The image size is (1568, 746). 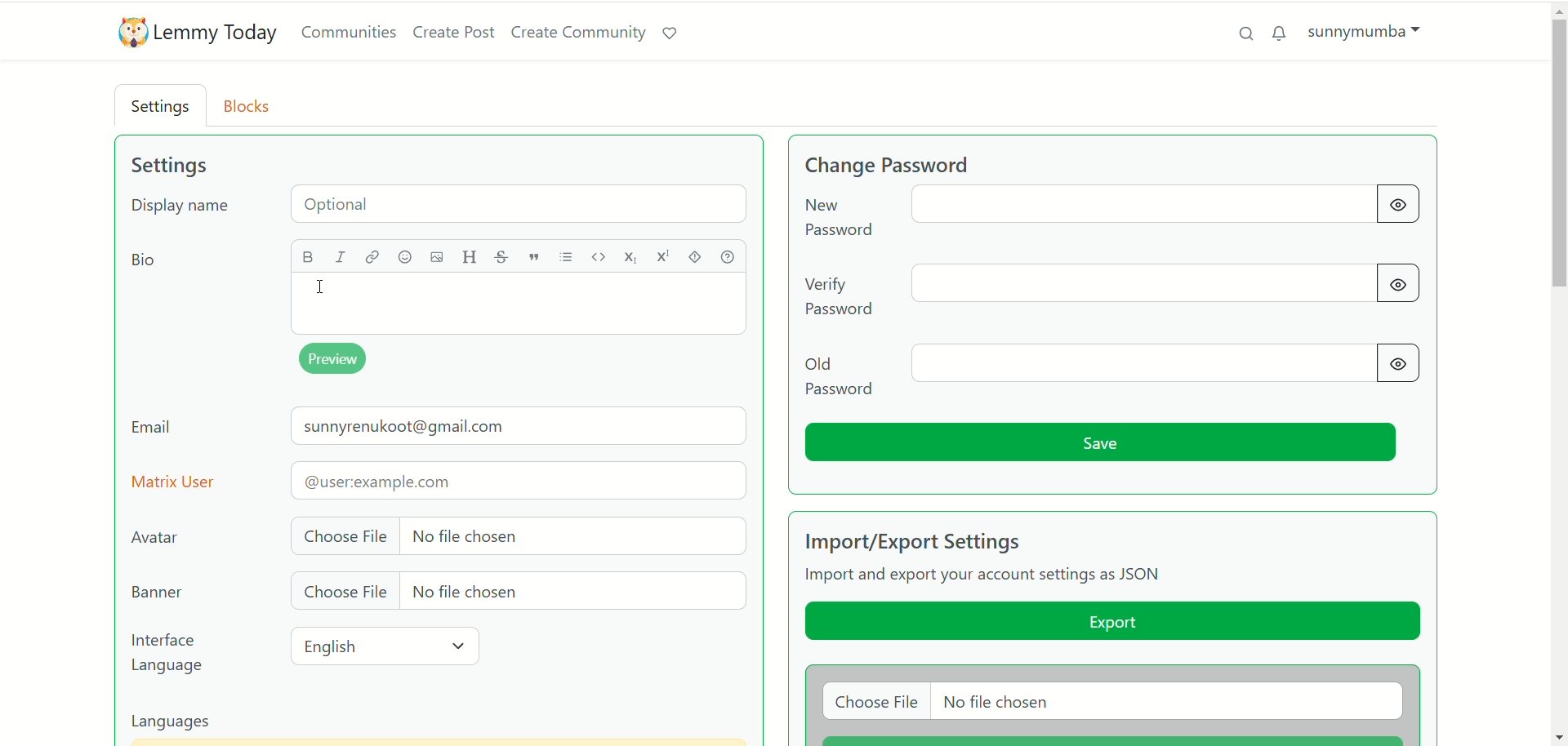 I want to click on avatar, so click(x=158, y=537).